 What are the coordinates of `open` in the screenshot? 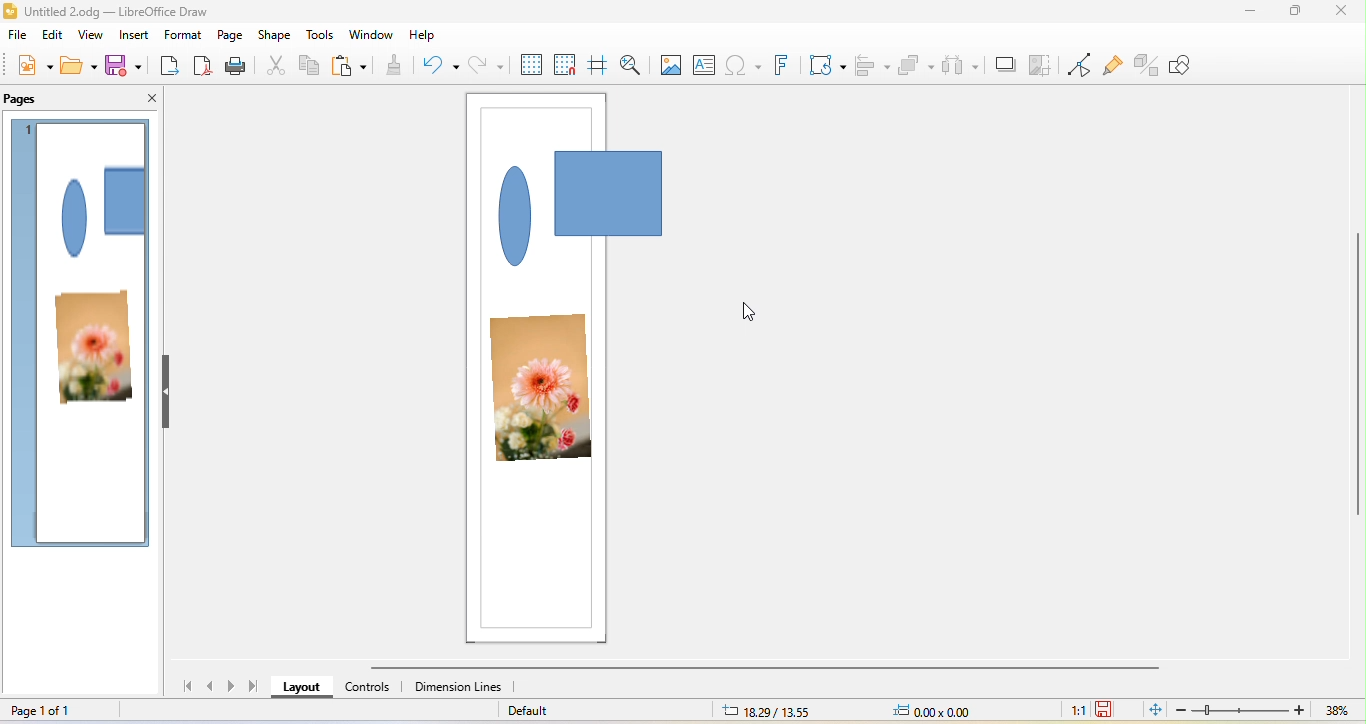 It's located at (79, 68).